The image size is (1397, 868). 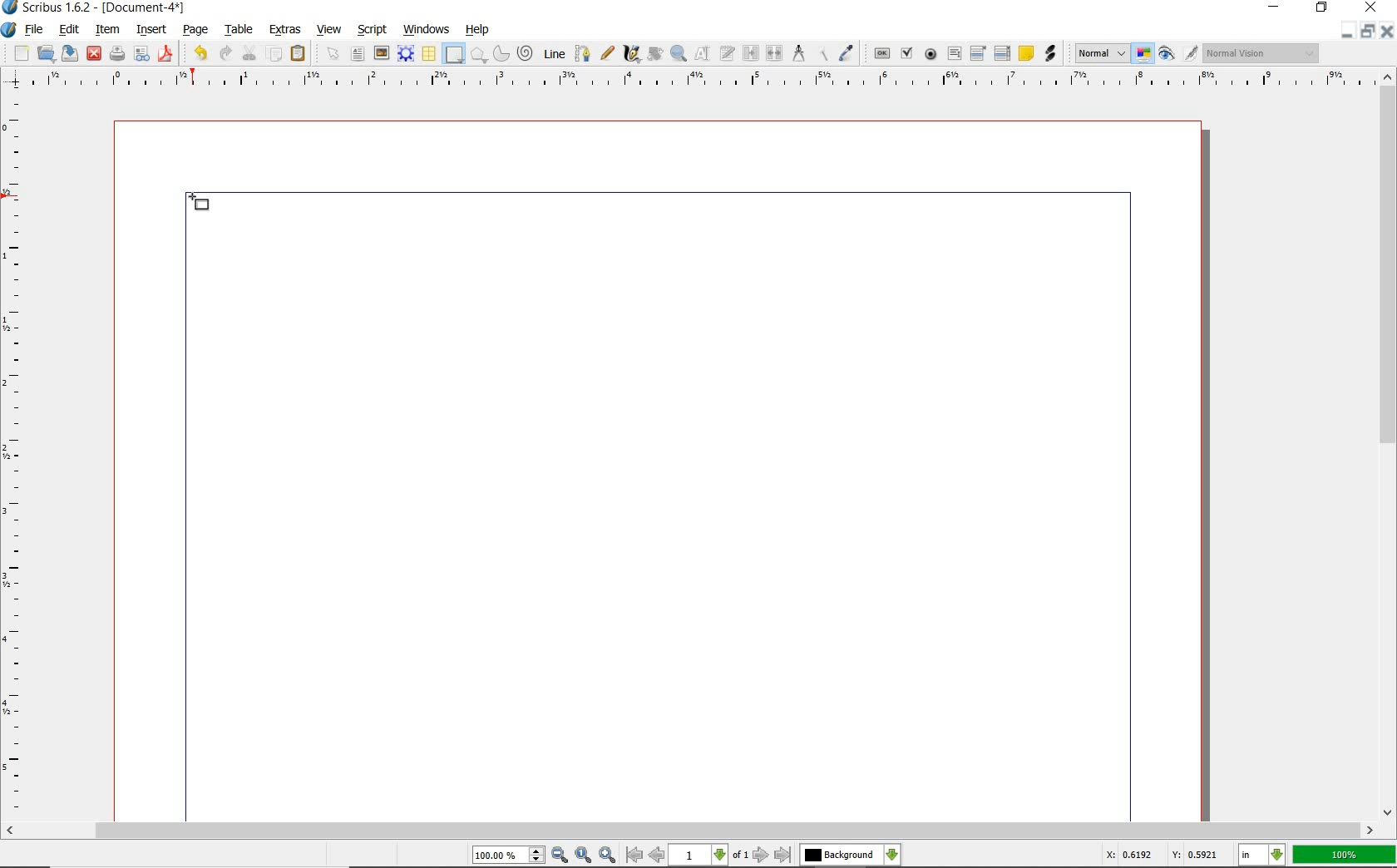 What do you see at coordinates (1178, 55) in the screenshot?
I see `preview mode` at bounding box center [1178, 55].